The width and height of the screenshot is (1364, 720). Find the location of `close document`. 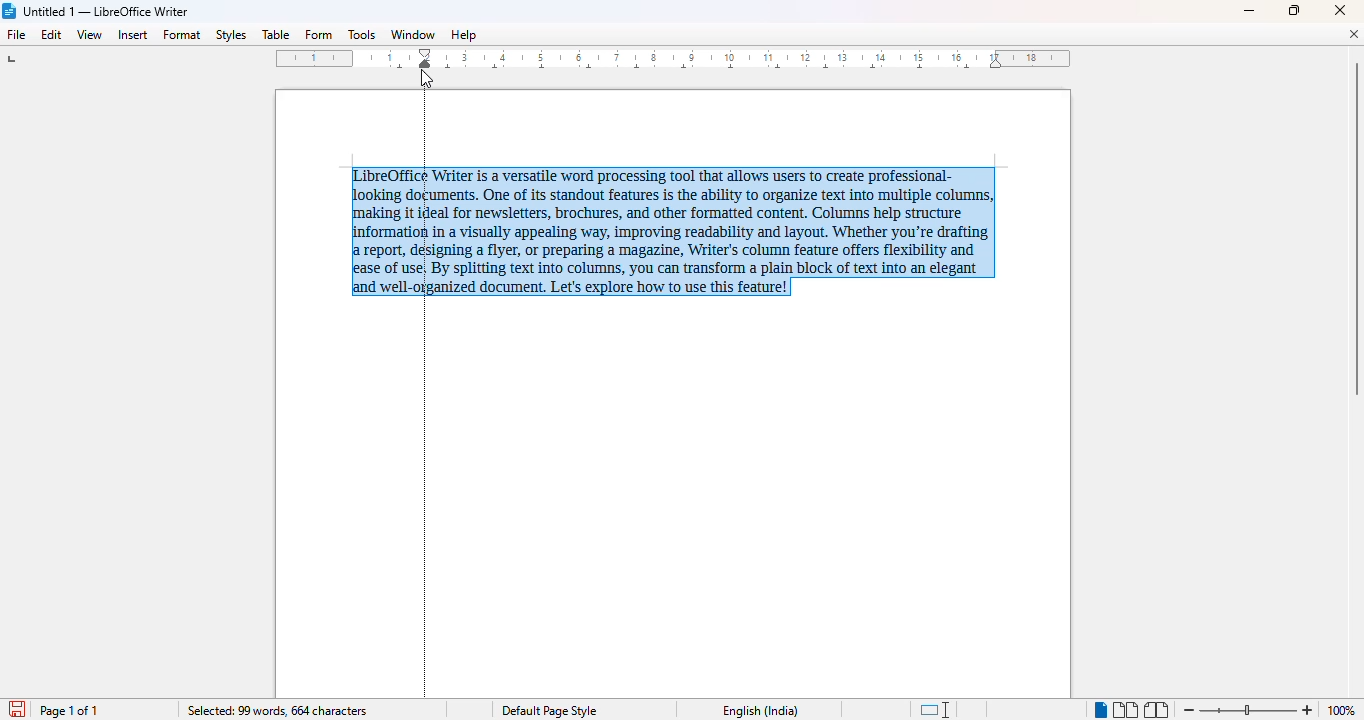

close document is located at coordinates (1353, 34).